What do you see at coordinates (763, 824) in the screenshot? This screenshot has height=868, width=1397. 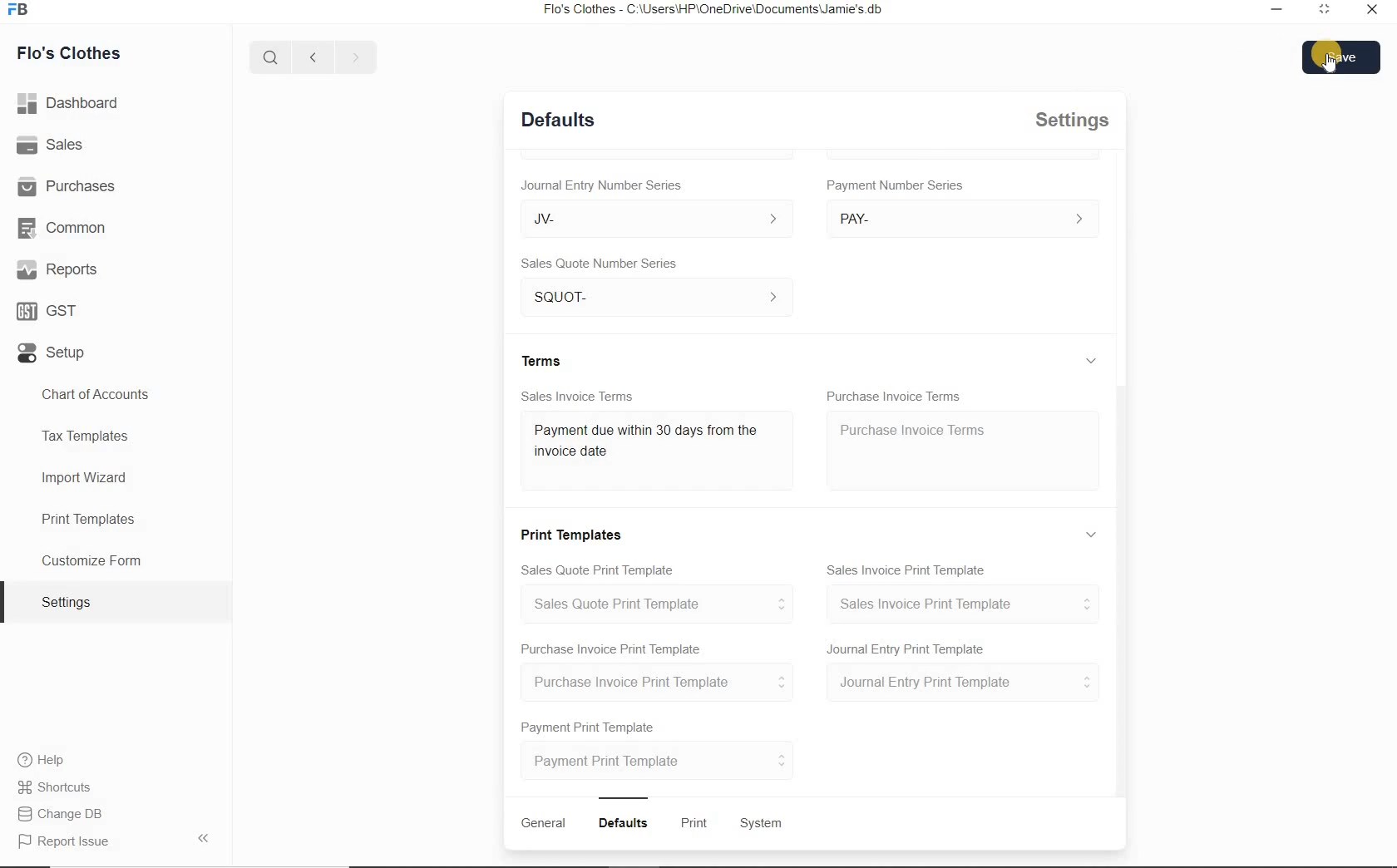 I see `System` at bounding box center [763, 824].